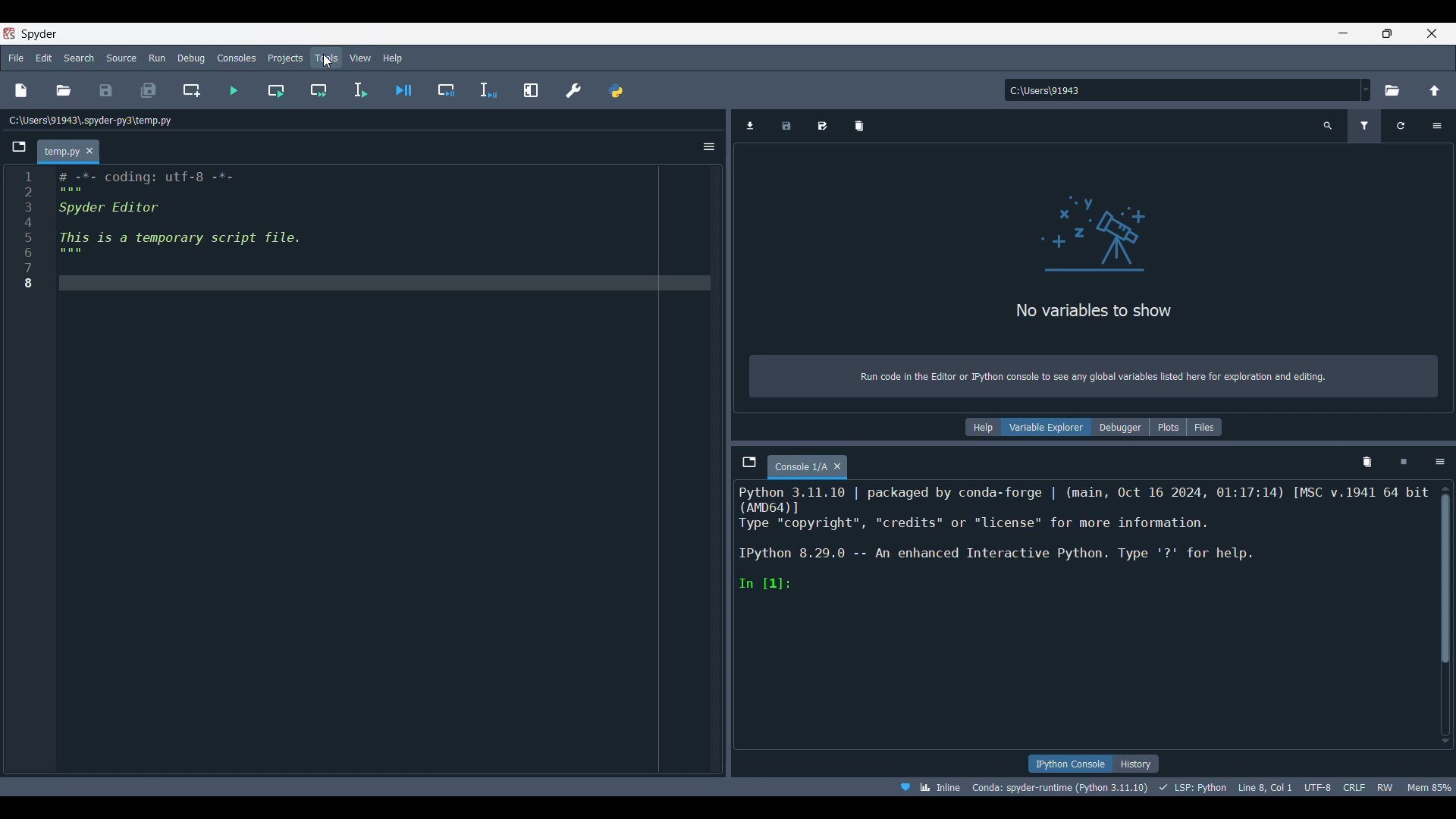 This screenshot has height=819, width=1456. I want to click on Debug cell, so click(445, 89).